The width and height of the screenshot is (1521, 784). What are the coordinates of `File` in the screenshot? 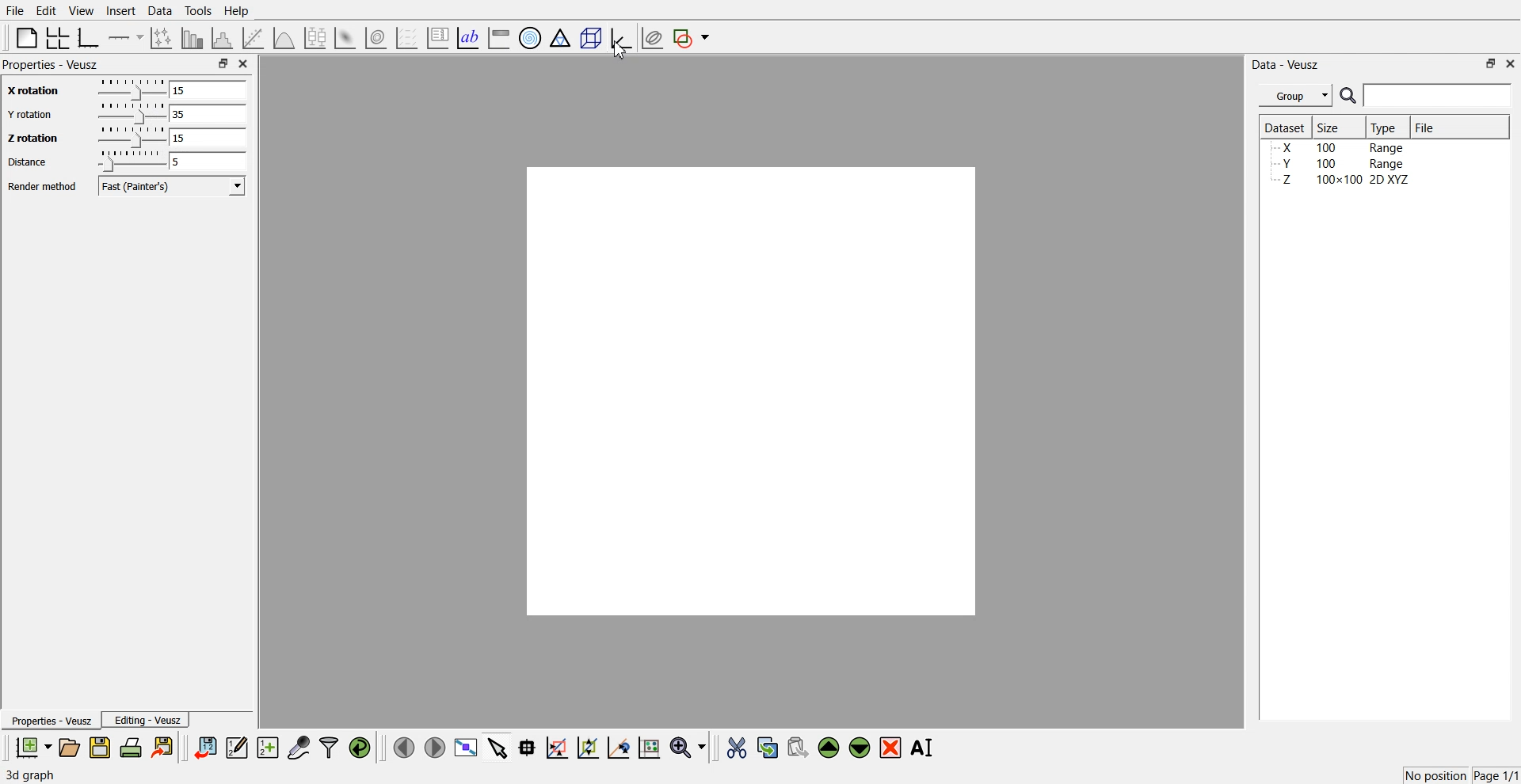 It's located at (15, 10).